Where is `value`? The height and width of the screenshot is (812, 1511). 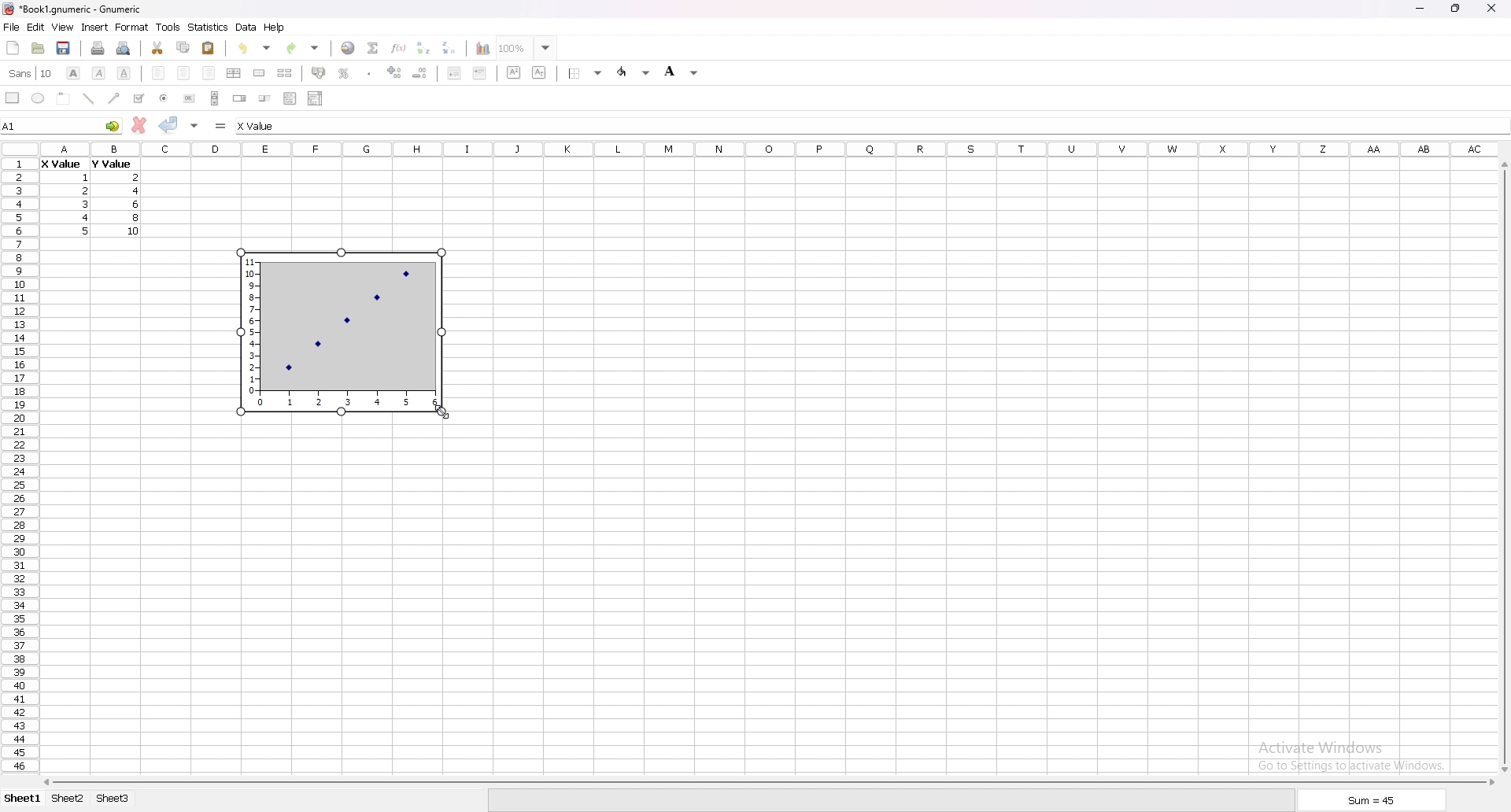
value is located at coordinates (87, 231).